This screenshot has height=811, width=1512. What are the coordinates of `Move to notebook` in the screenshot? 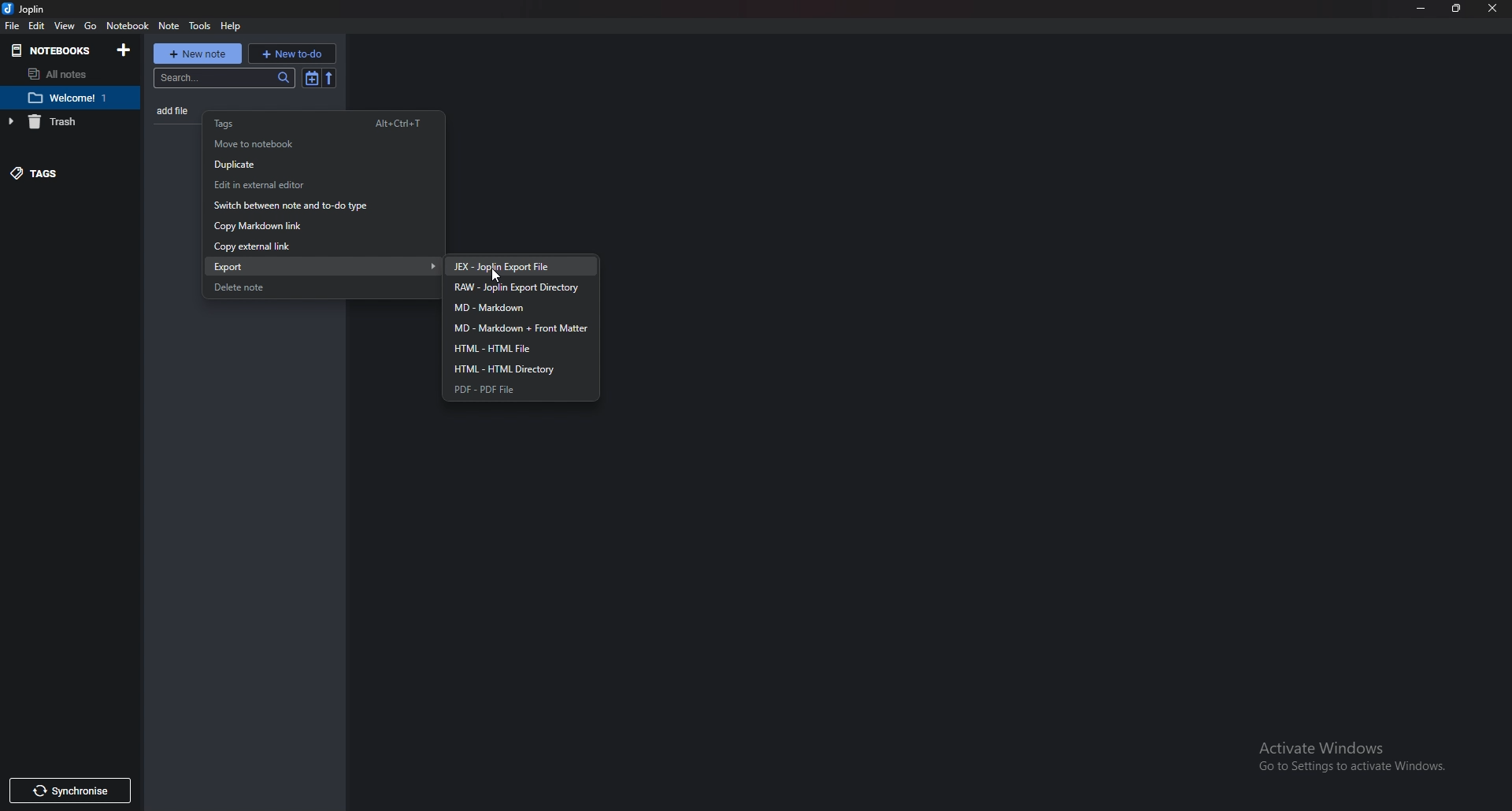 It's located at (312, 143).